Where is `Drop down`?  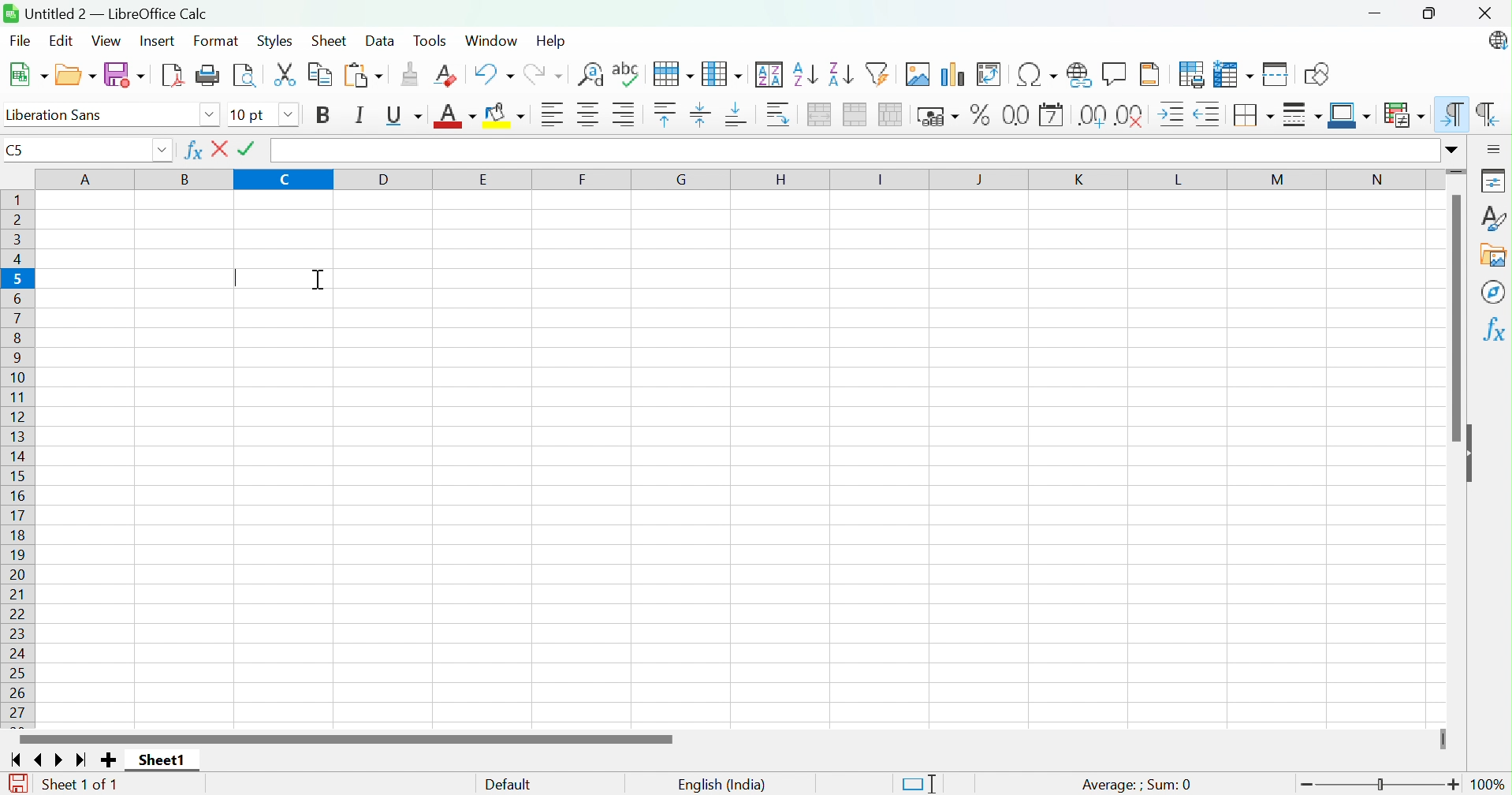
Drop down is located at coordinates (289, 115).